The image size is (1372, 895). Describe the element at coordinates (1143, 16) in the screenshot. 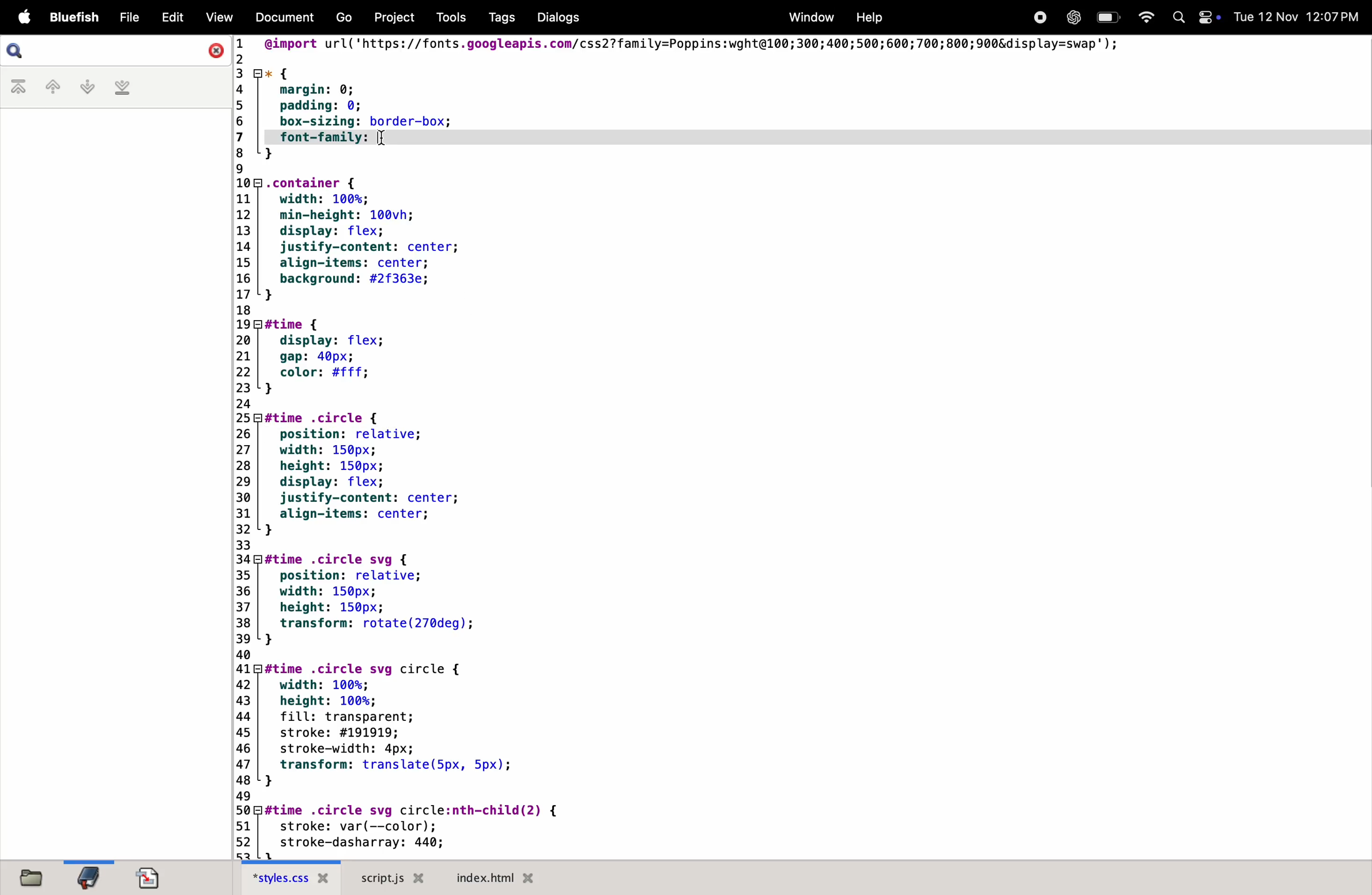

I see `wifi` at that location.